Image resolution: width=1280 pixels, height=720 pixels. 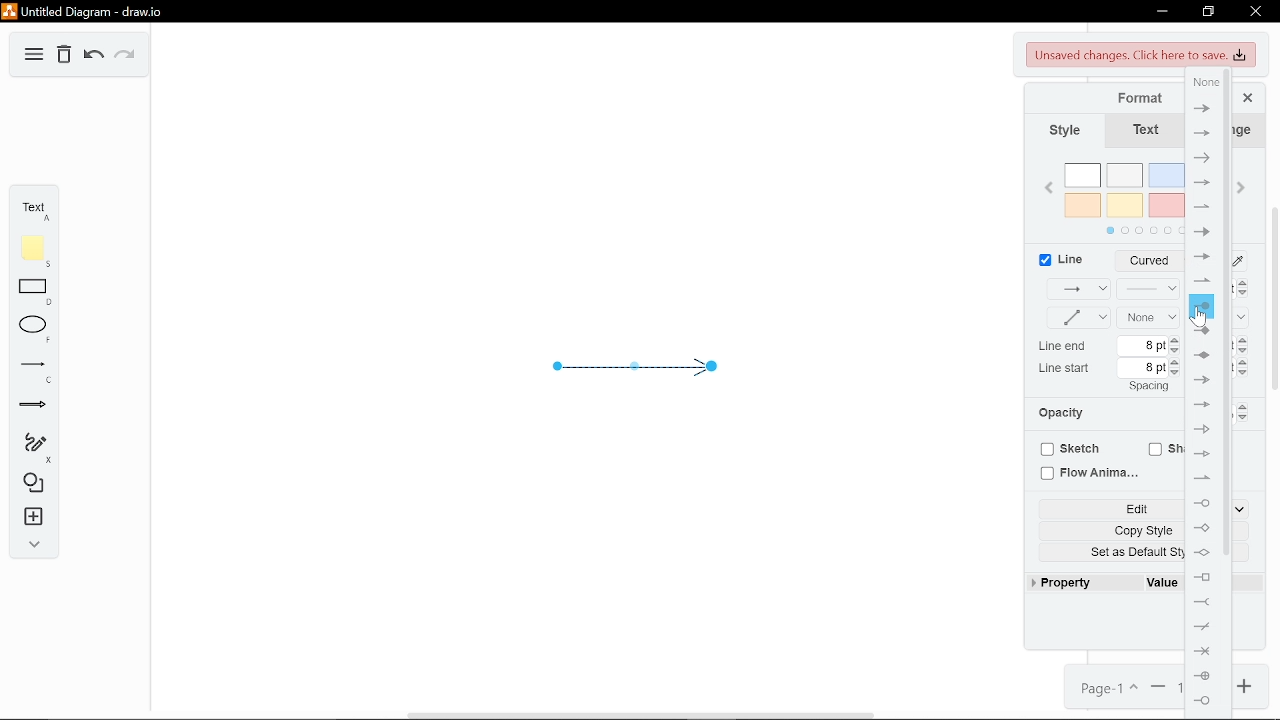 I want to click on Format, so click(x=1104, y=98).